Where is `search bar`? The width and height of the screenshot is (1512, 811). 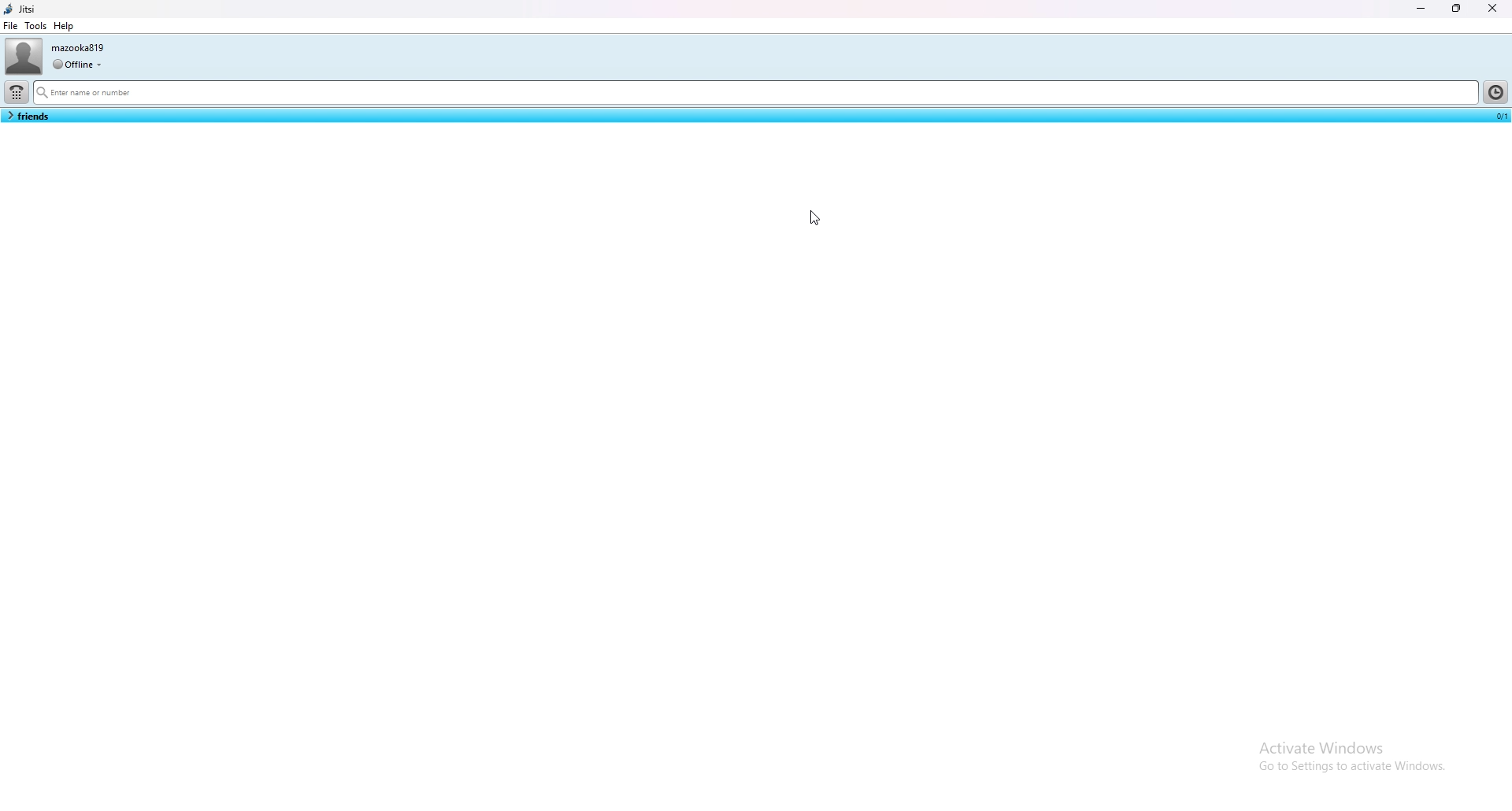
search bar is located at coordinates (754, 94).